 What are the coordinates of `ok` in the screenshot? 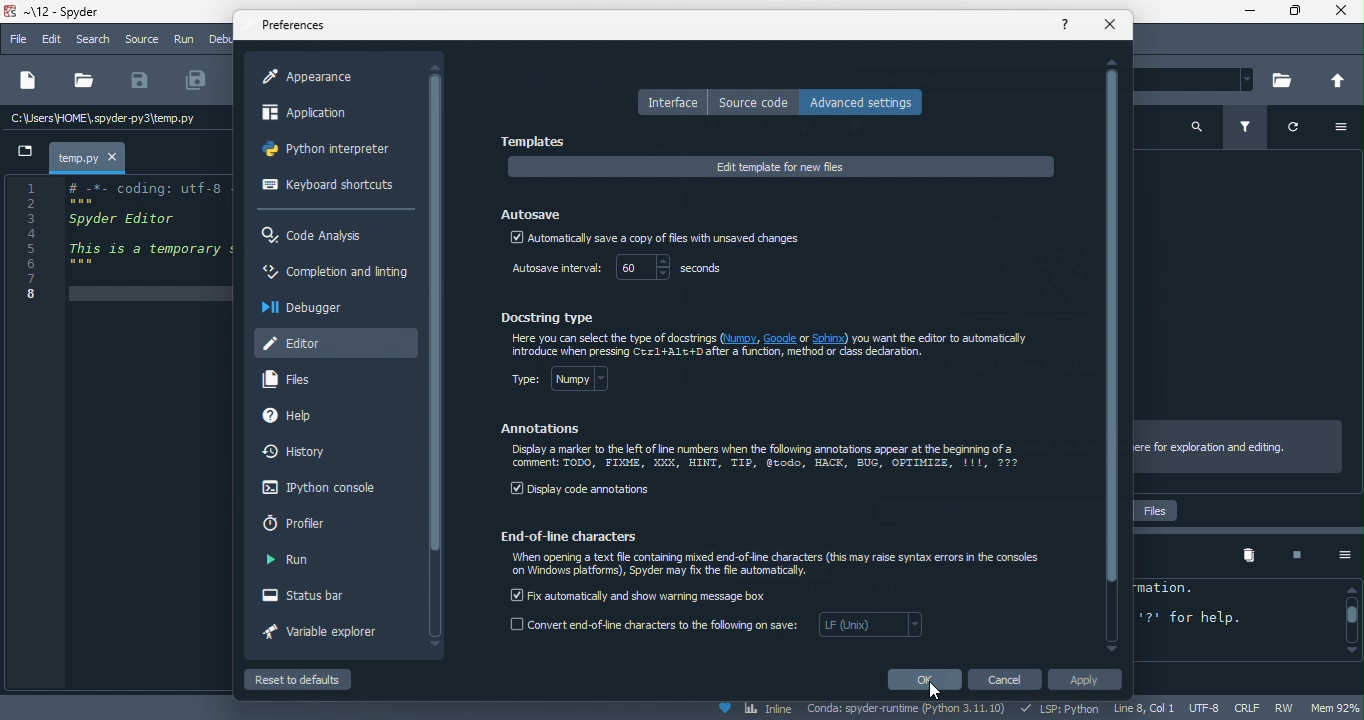 It's located at (923, 679).